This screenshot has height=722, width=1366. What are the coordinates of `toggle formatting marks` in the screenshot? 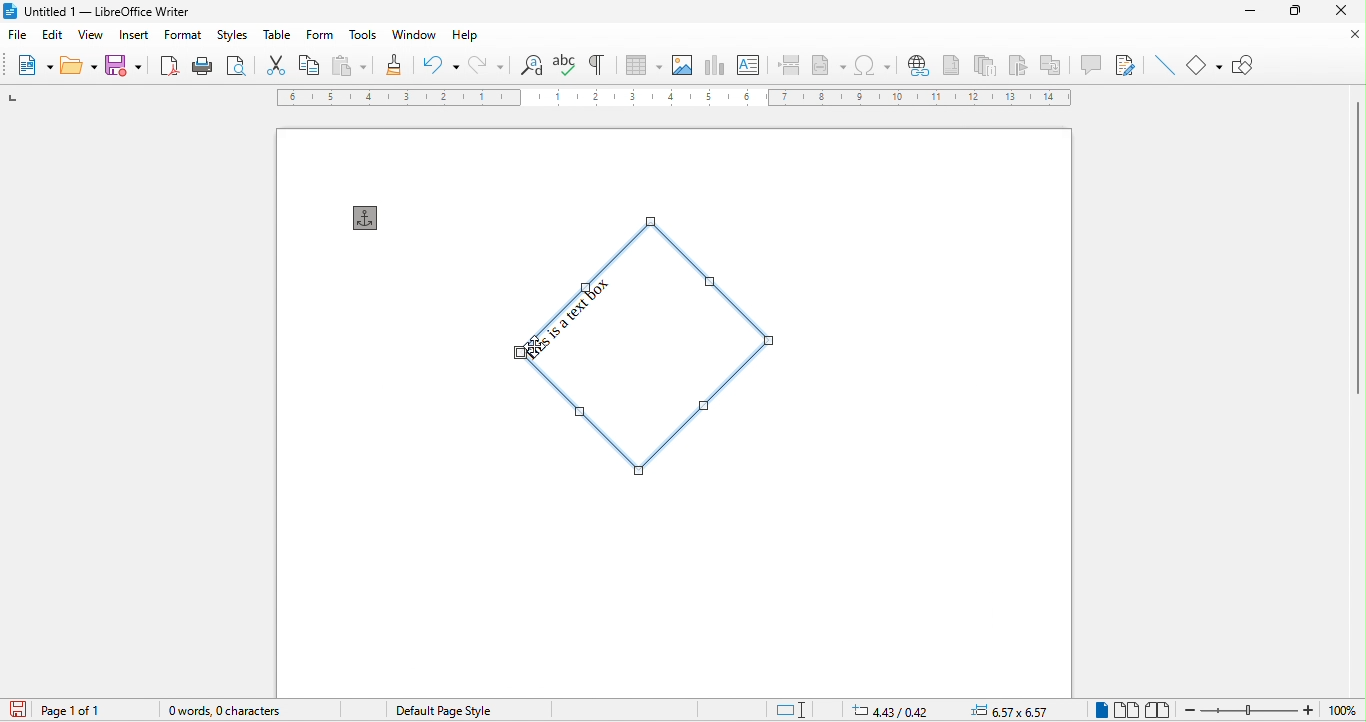 It's located at (600, 63).